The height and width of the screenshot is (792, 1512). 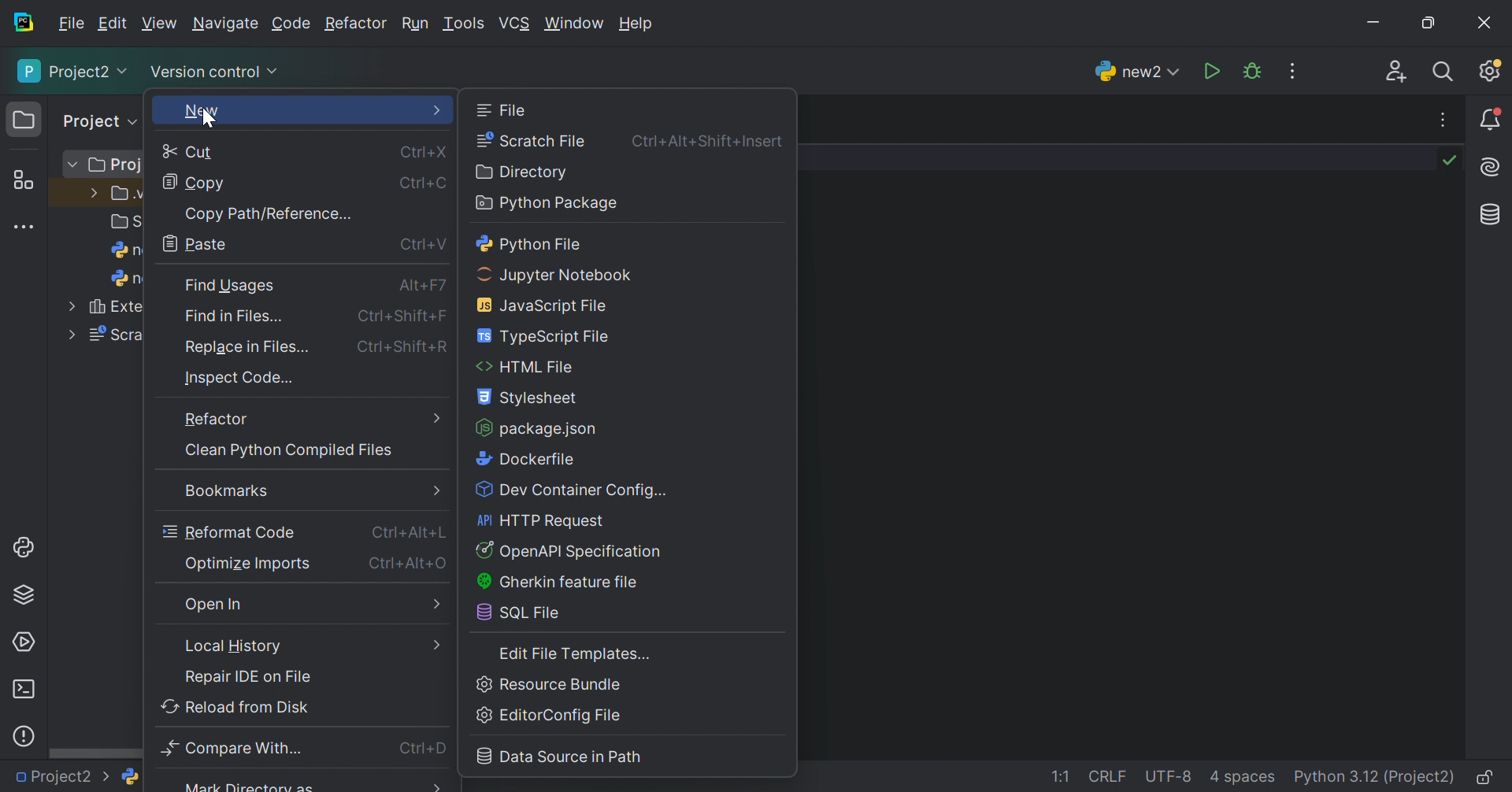 What do you see at coordinates (404, 349) in the screenshot?
I see `Ctrl+Shift+R` at bounding box center [404, 349].